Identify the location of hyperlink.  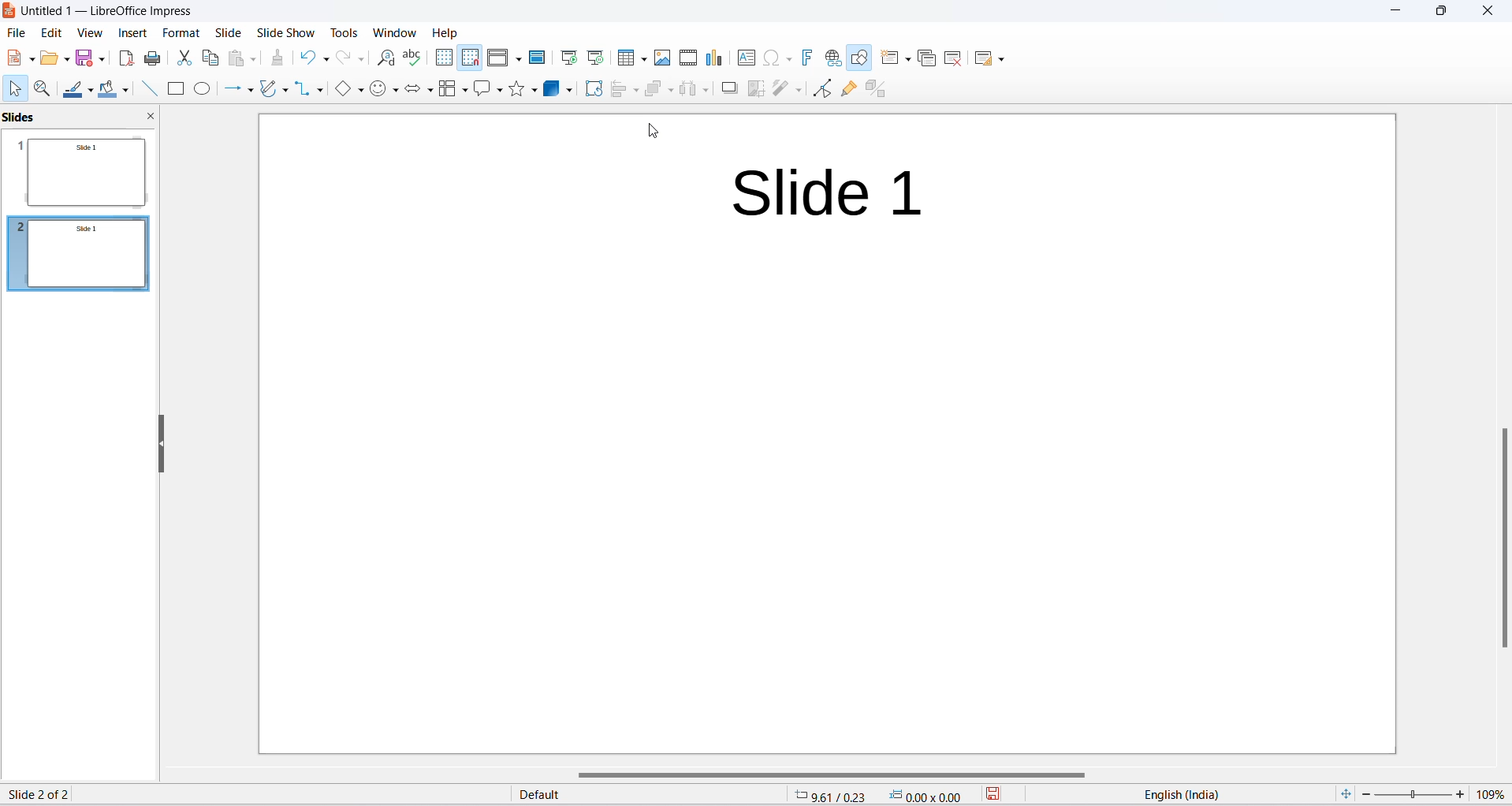
(831, 57).